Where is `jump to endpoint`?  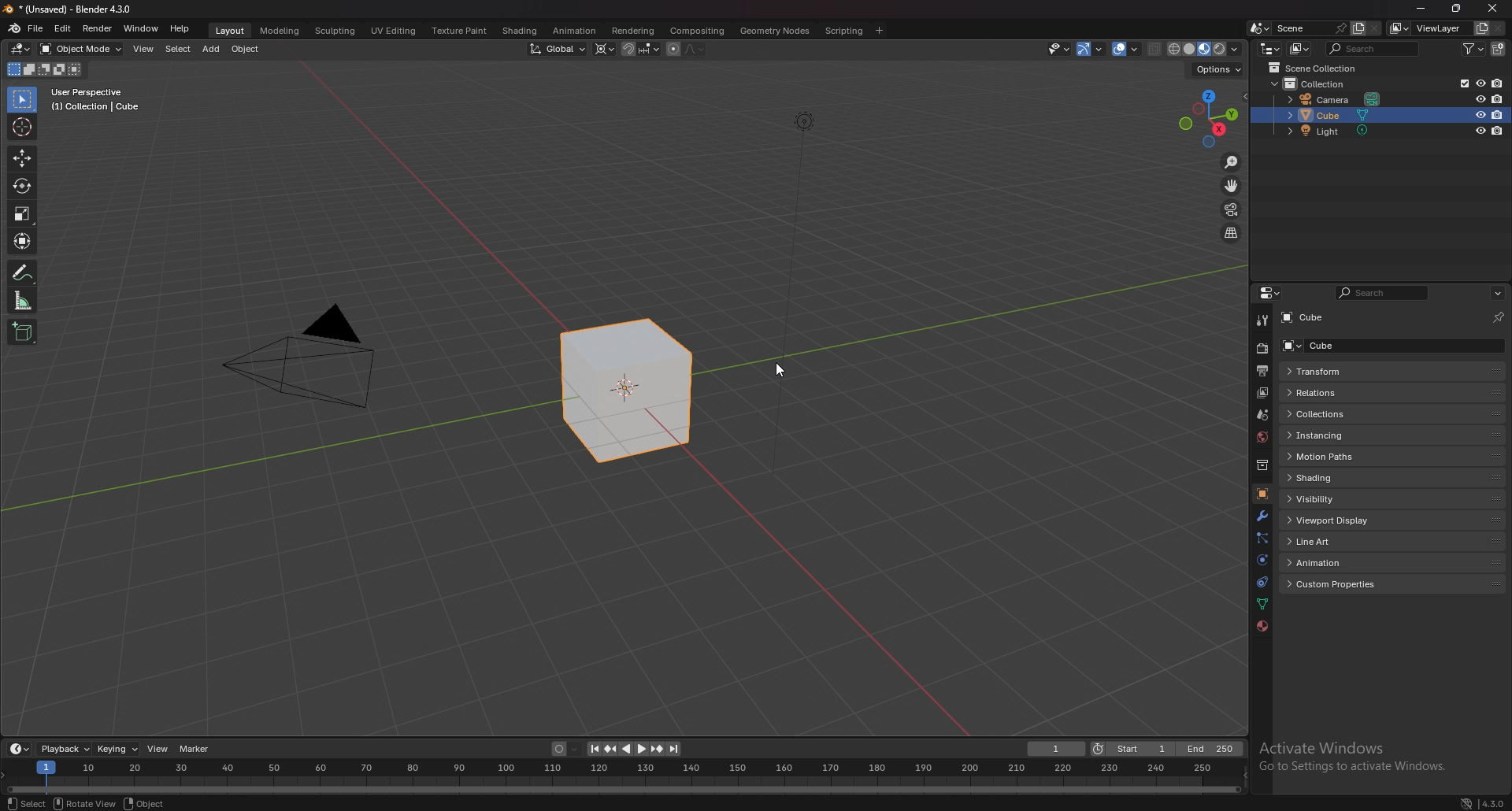 jump to endpoint is located at coordinates (593, 749).